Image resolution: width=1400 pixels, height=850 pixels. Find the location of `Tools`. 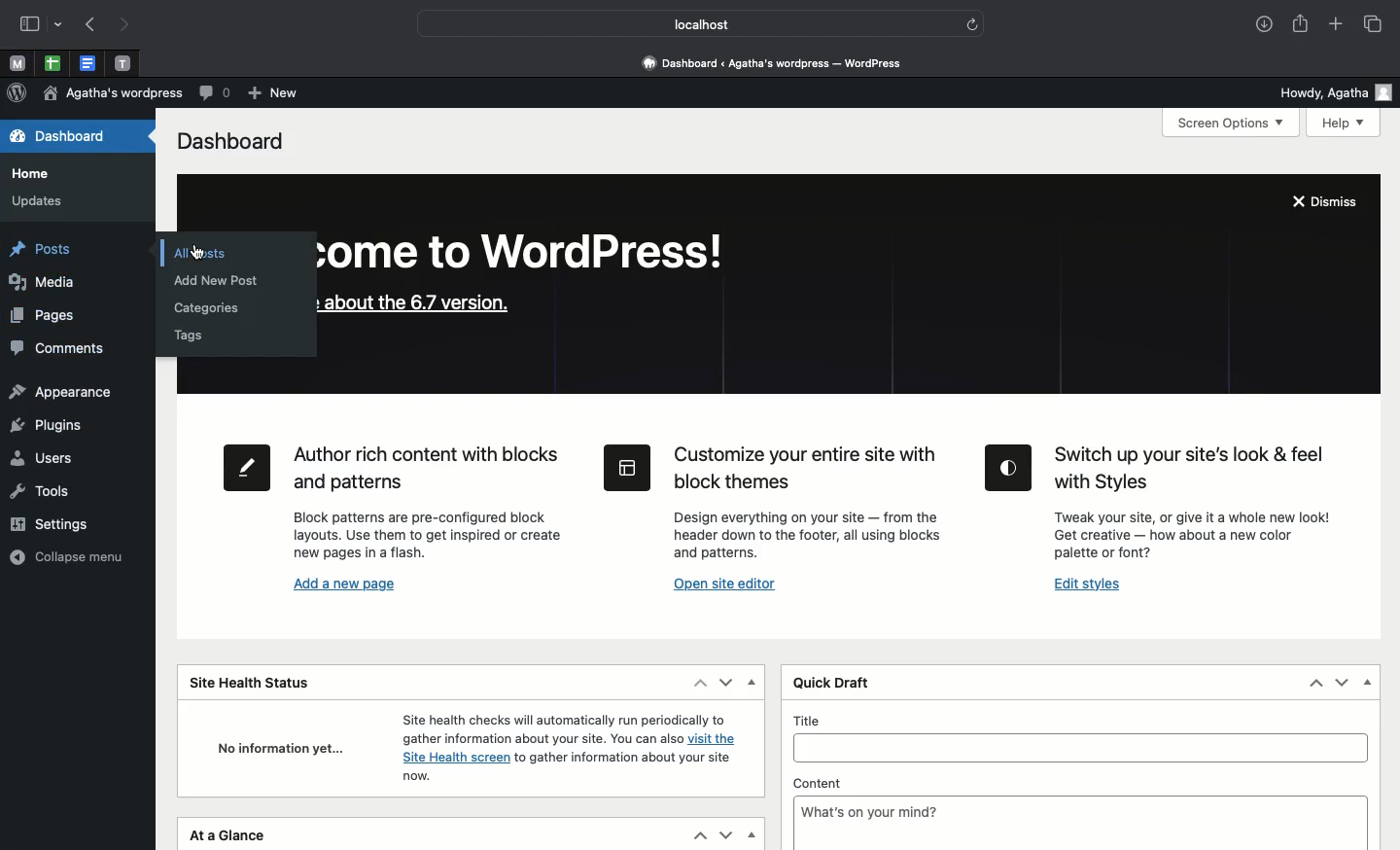

Tools is located at coordinates (43, 490).